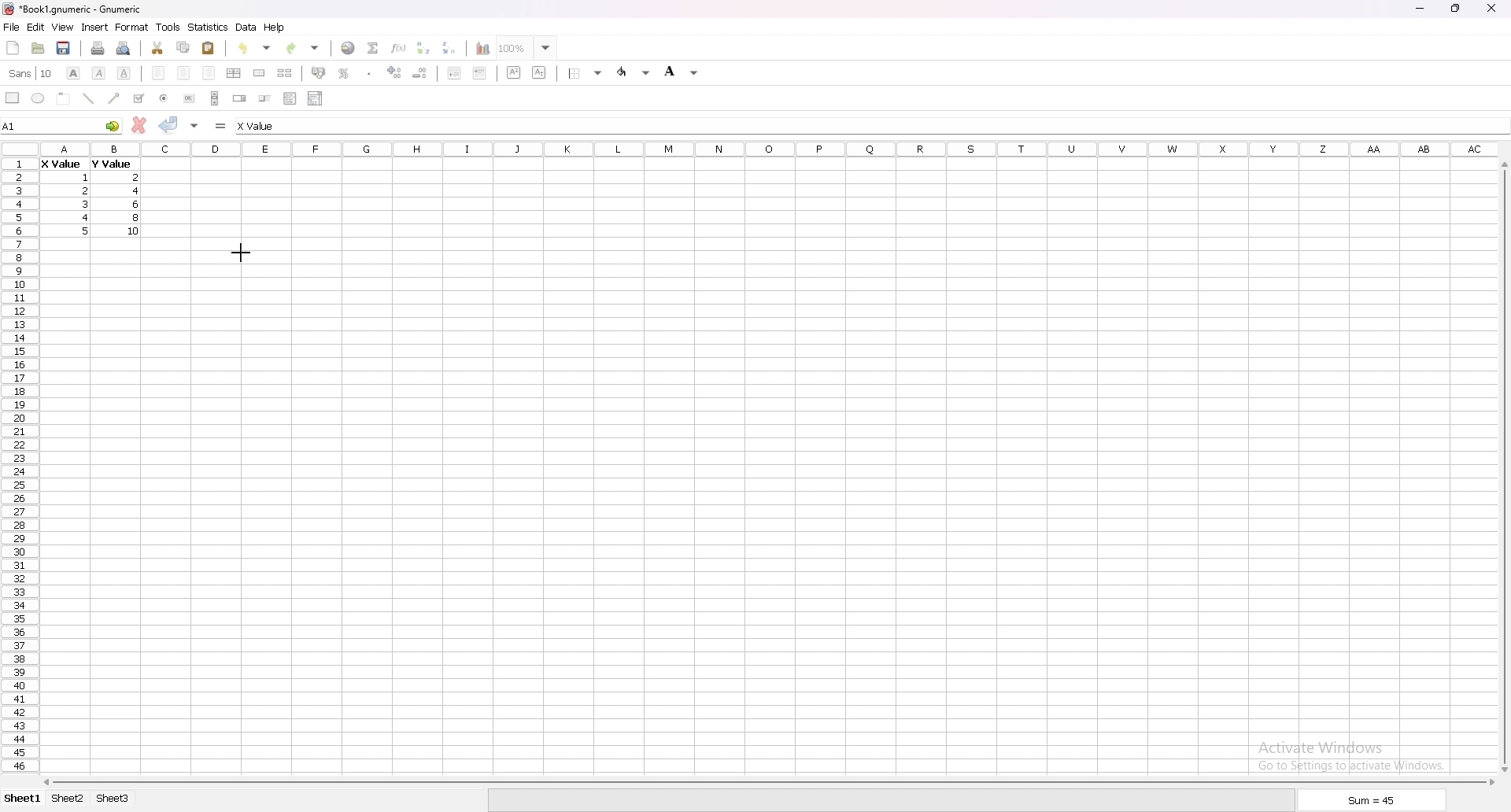  Describe the element at coordinates (11, 28) in the screenshot. I see `file` at that location.